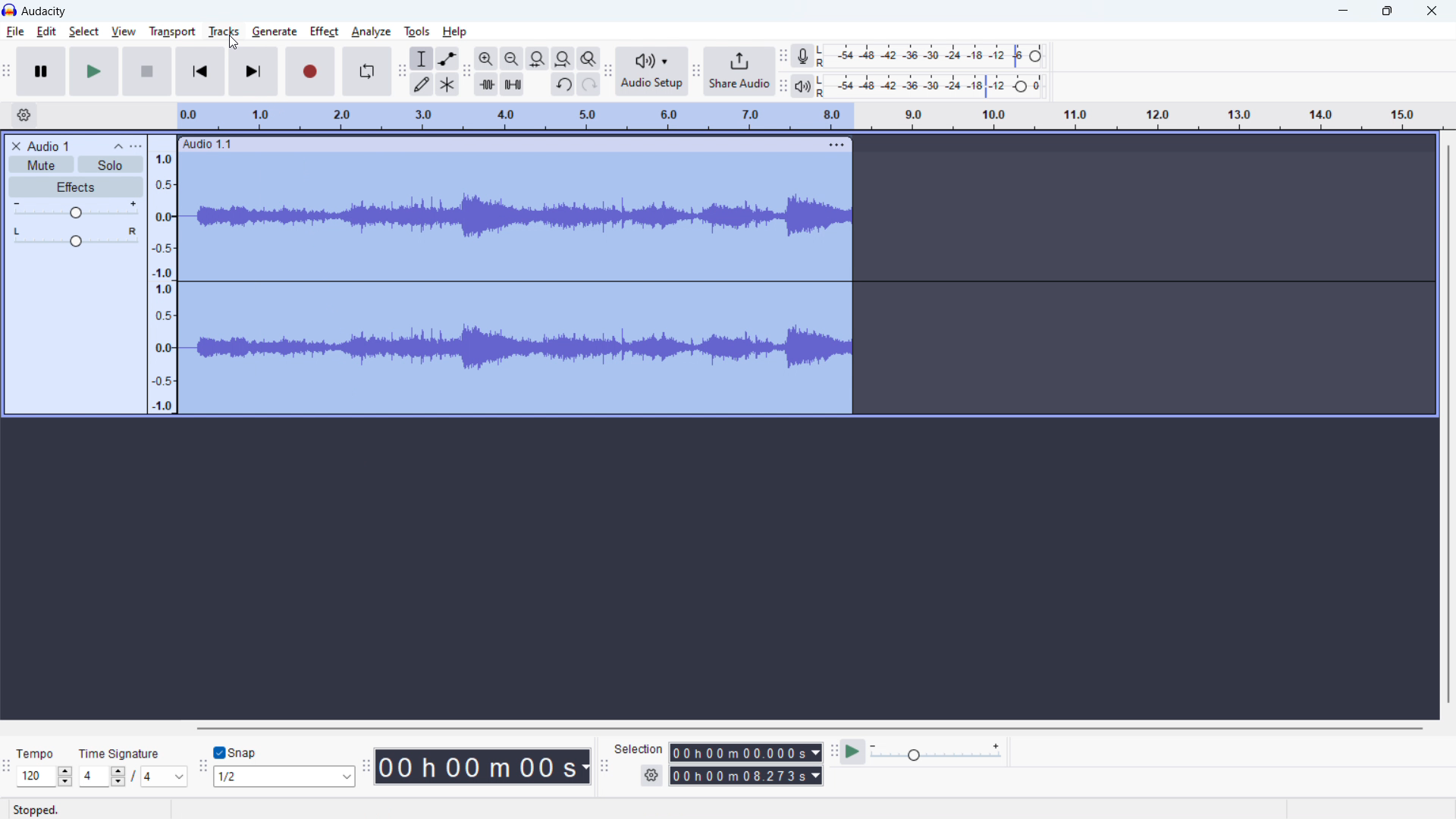 This screenshot has width=1456, height=819. I want to click on gain, so click(76, 210).